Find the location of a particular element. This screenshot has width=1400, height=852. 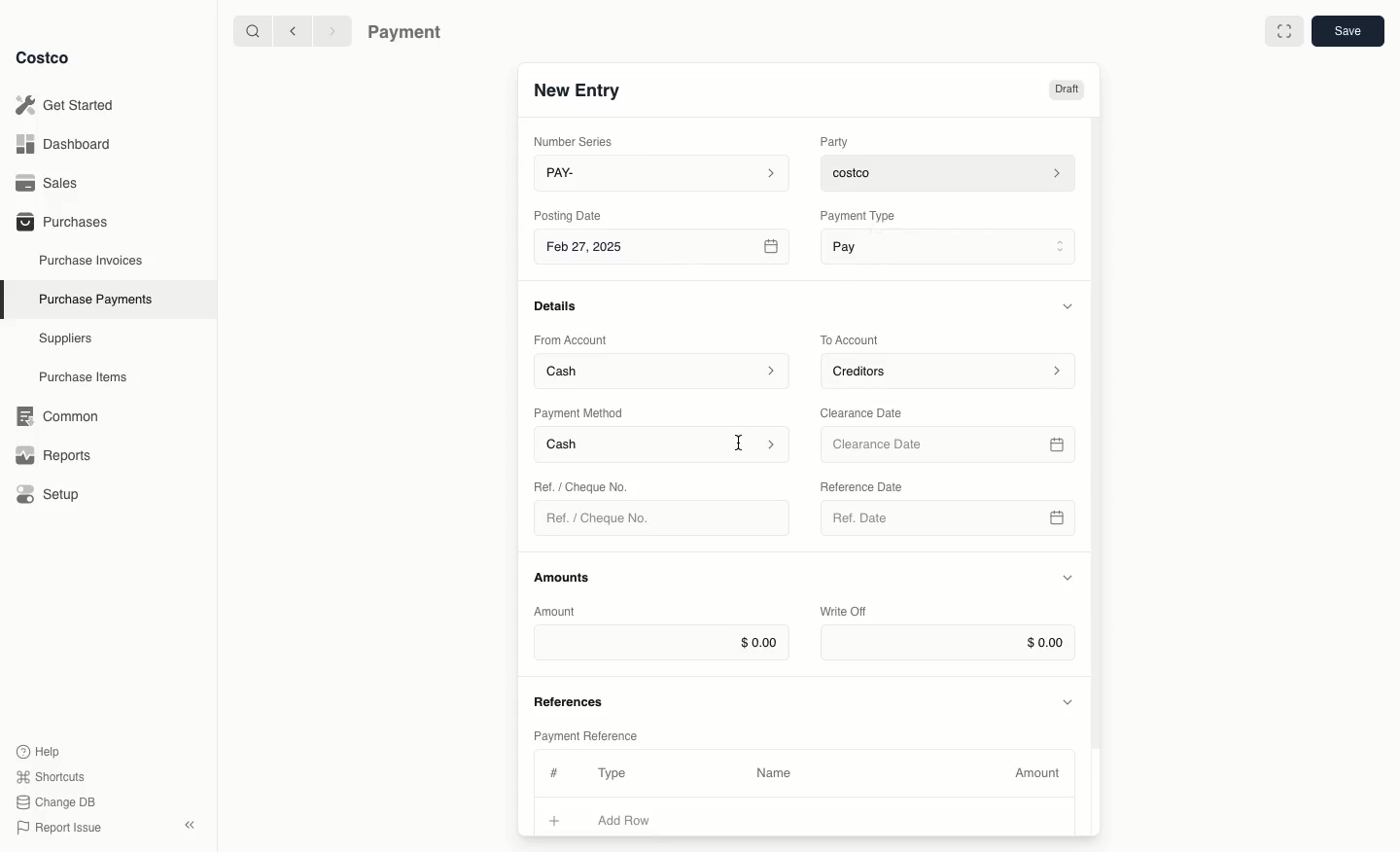

Feb 27, 2025 is located at coordinates (664, 250).